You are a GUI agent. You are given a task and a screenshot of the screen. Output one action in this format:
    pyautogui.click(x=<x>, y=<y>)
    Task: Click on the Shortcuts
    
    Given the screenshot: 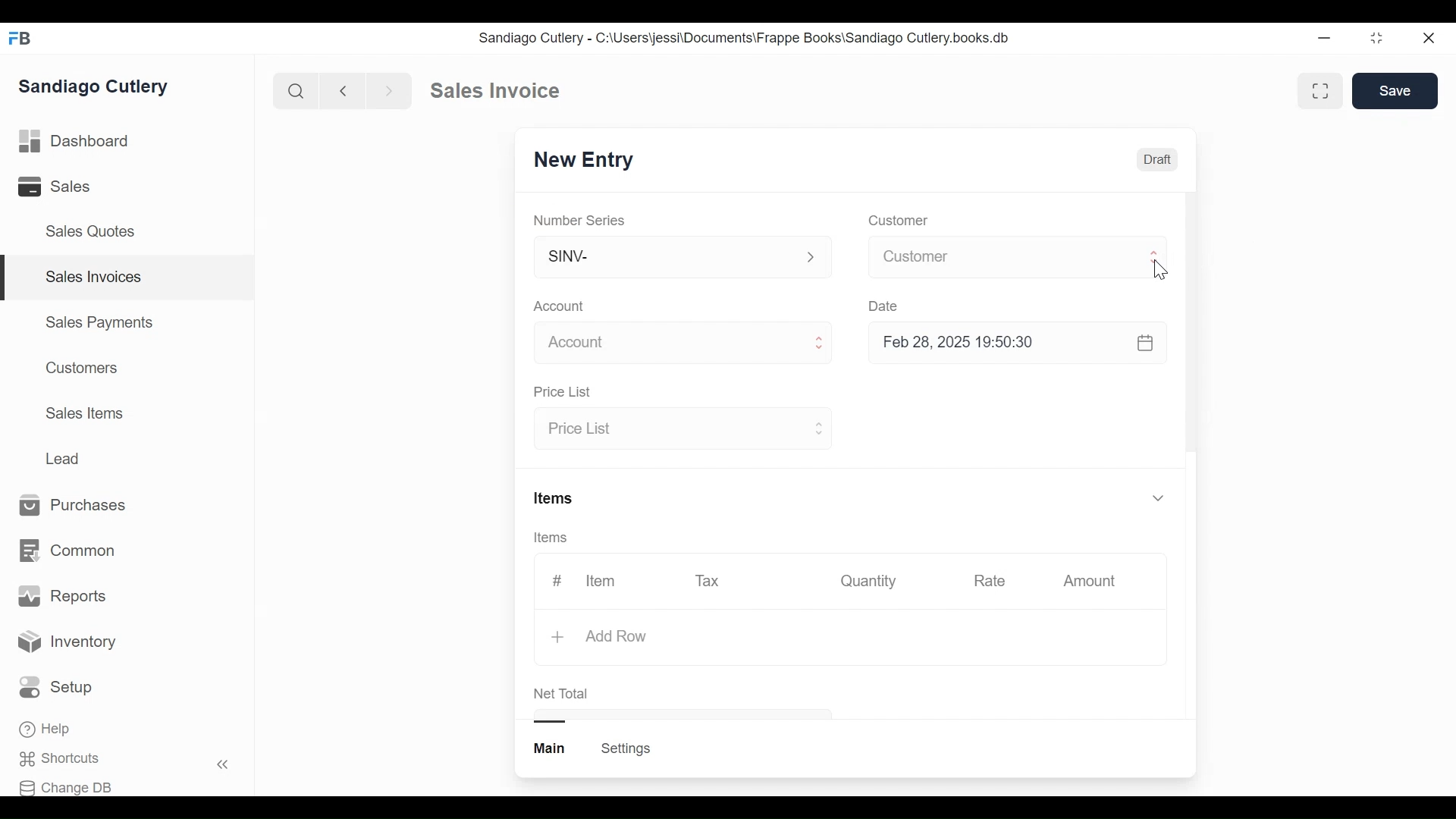 What is the action you would take?
    pyautogui.click(x=65, y=759)
    